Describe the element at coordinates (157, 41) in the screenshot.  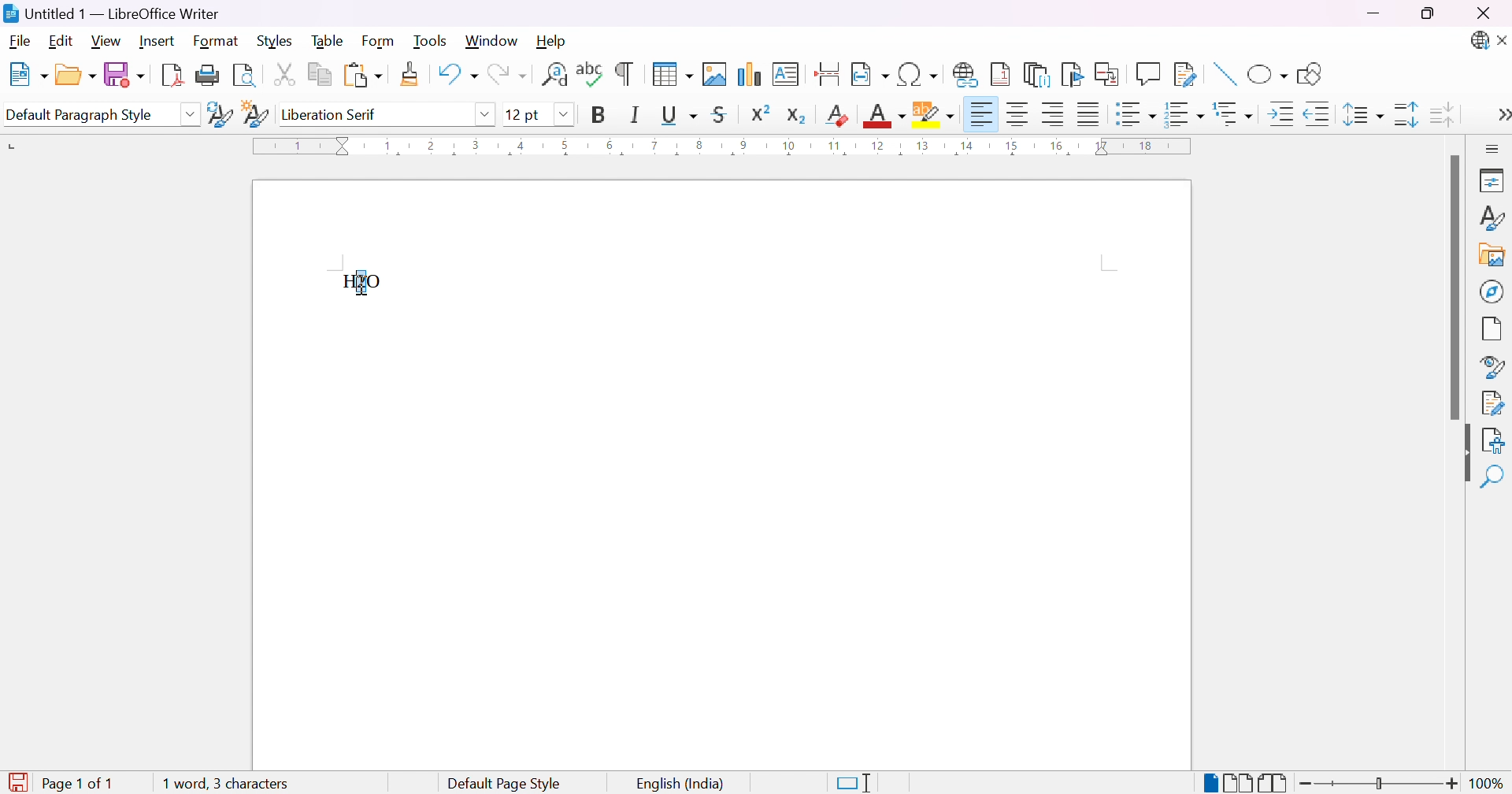
I see `Insert` at that location.